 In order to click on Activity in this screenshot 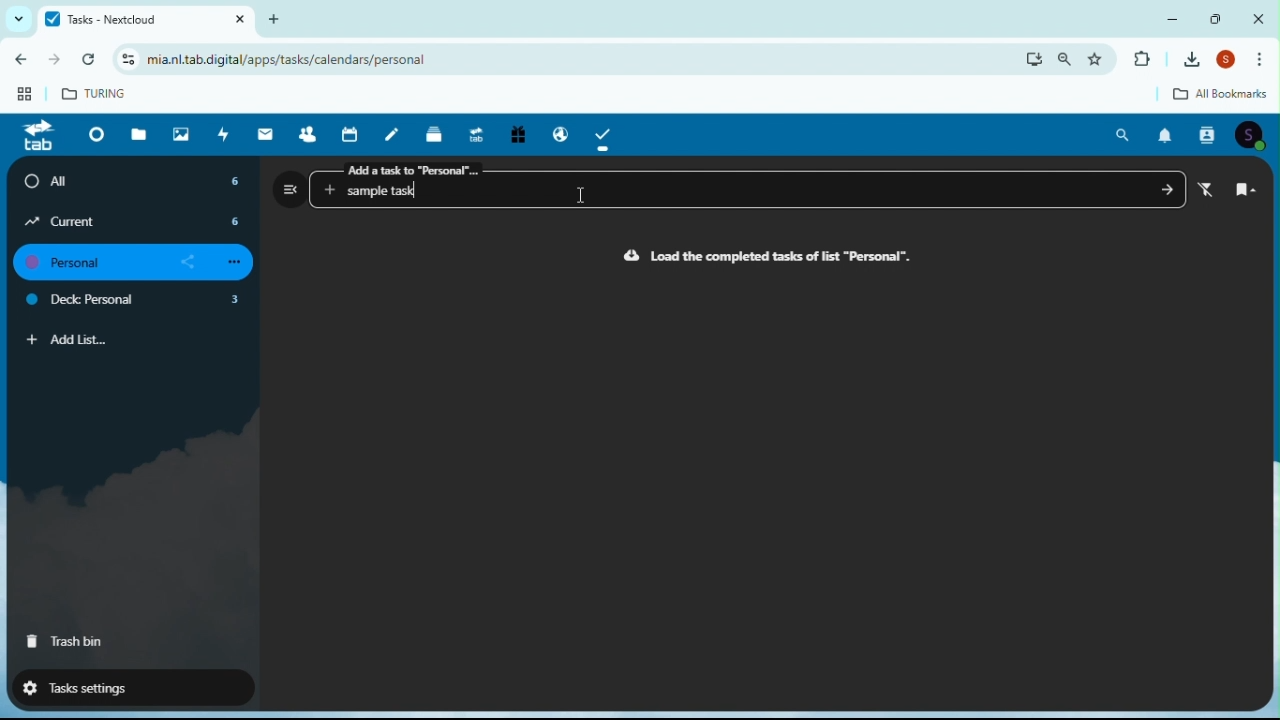, I will do `click(224, 134)`.